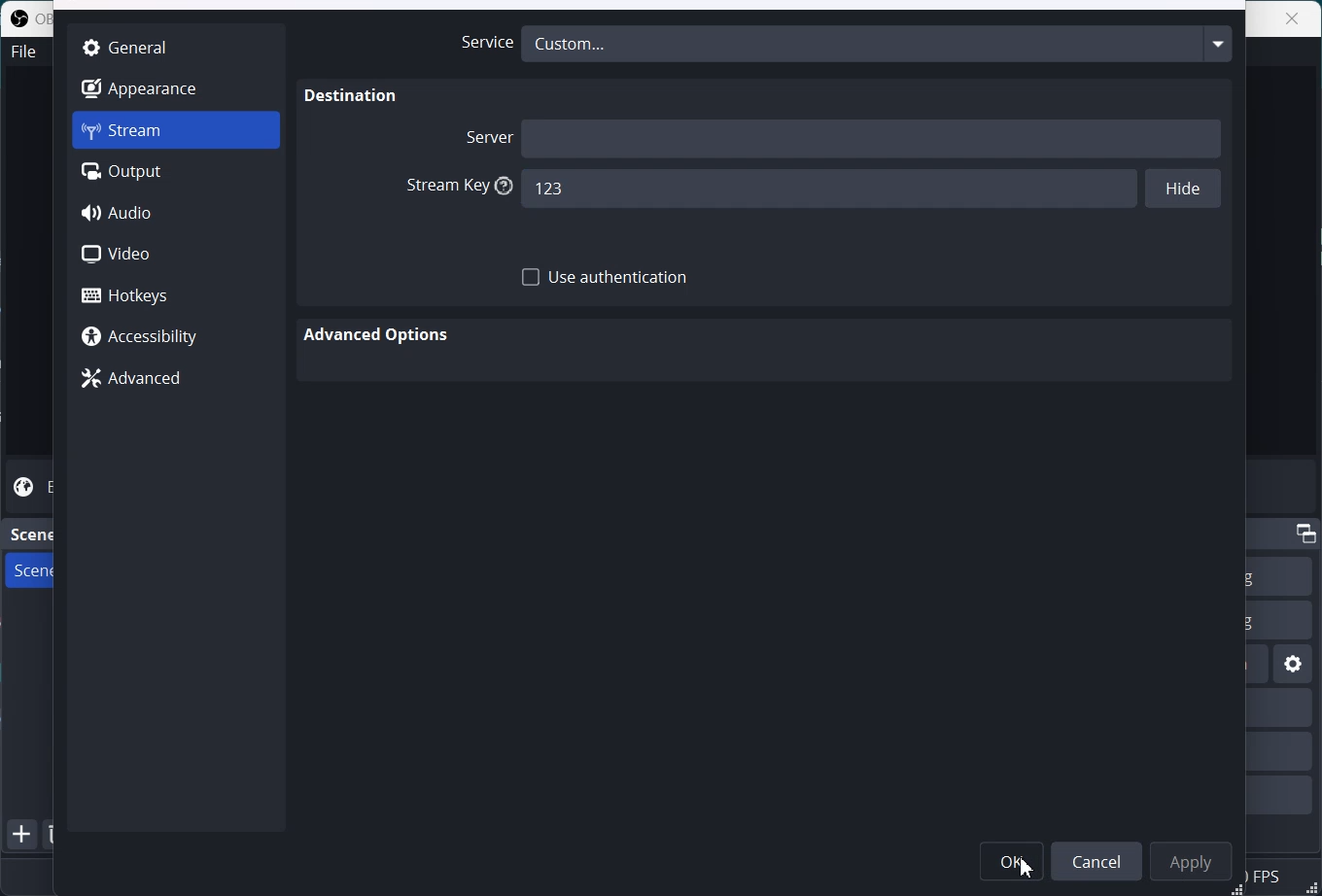 This screenshot has width=1322, height=896. Describe the element at coordinates (177, 294) in the screenshot. I see `Hotkeys` at that location.